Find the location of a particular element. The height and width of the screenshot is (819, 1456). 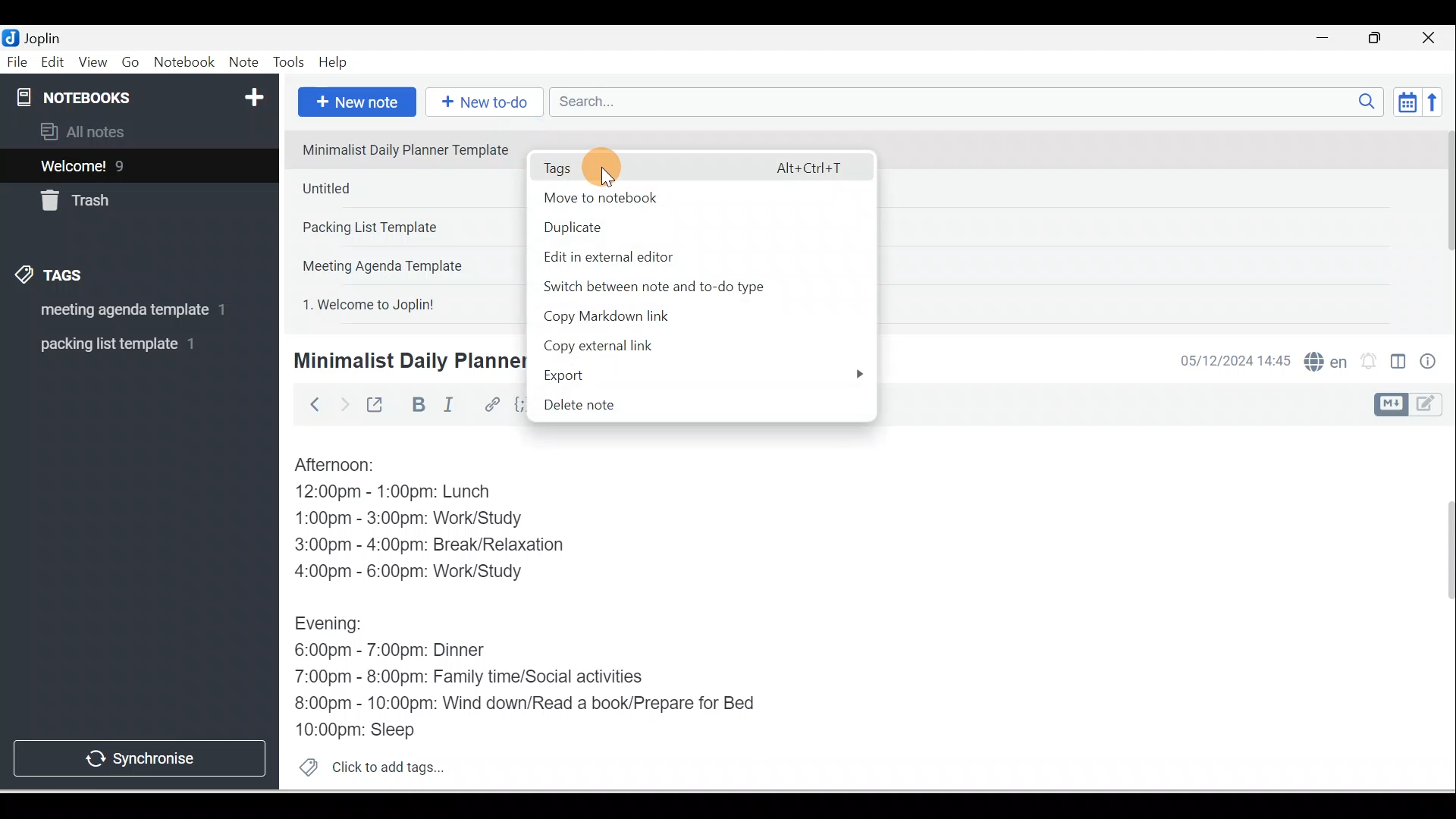

Go is located at coordinates (133, 63).